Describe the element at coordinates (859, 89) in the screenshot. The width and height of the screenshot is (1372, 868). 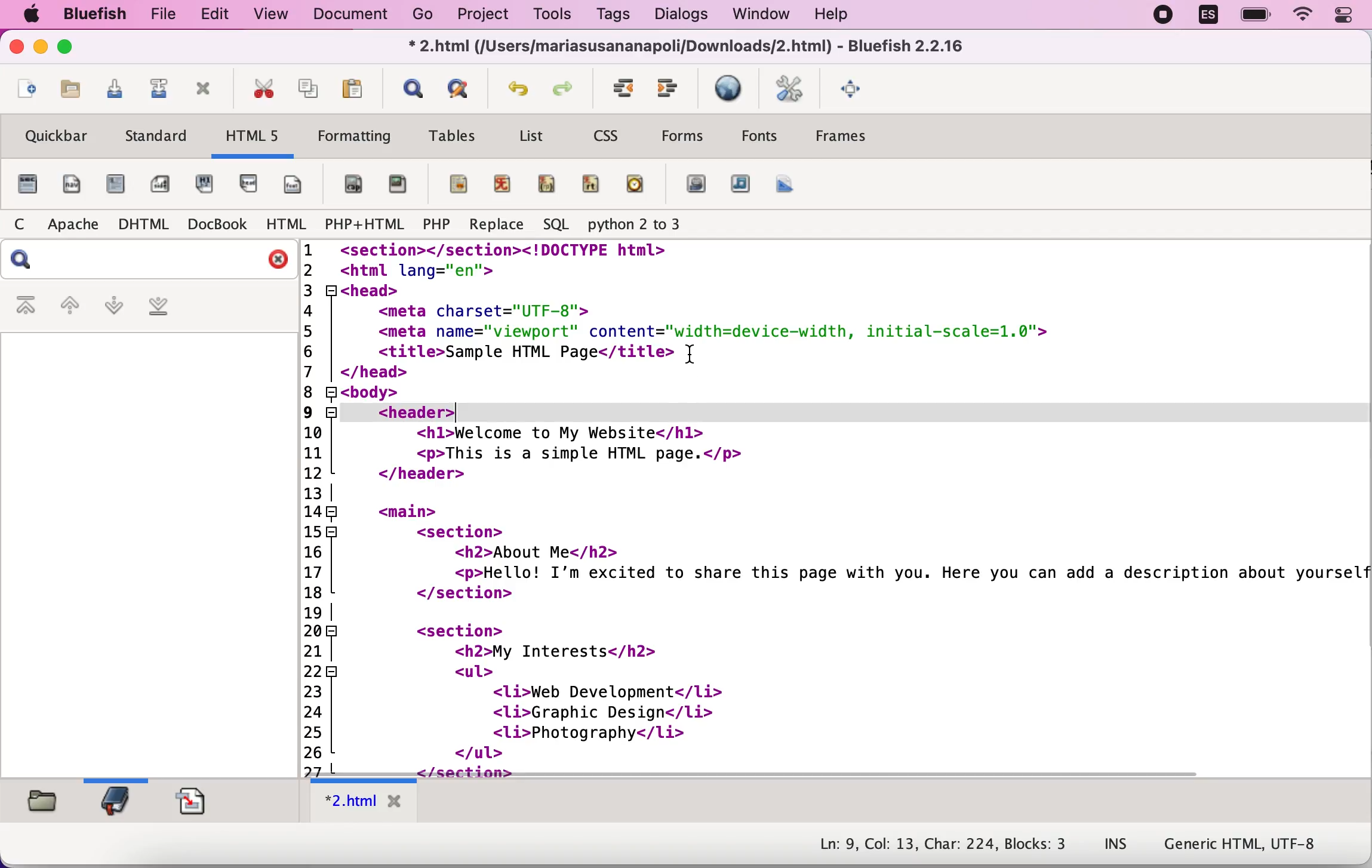
I see `fullscreen` at that location.